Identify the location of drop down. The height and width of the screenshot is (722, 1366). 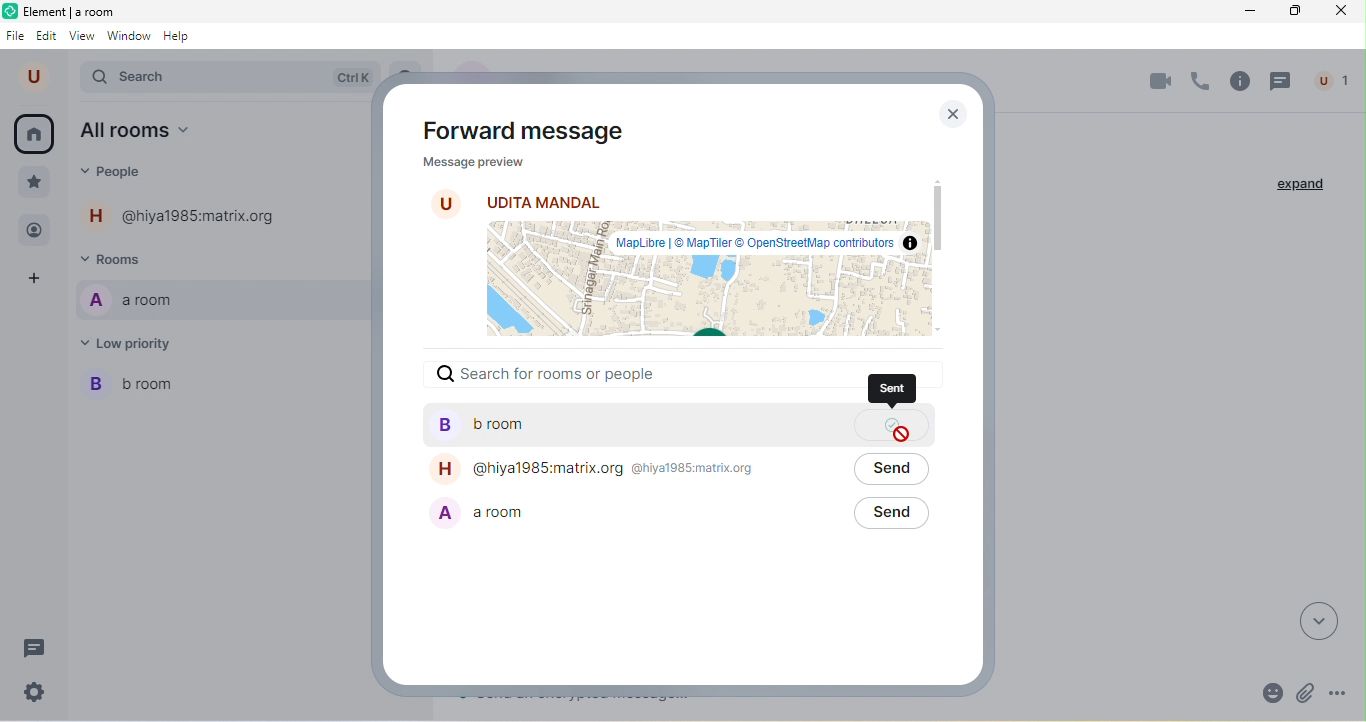
(1321, 620).